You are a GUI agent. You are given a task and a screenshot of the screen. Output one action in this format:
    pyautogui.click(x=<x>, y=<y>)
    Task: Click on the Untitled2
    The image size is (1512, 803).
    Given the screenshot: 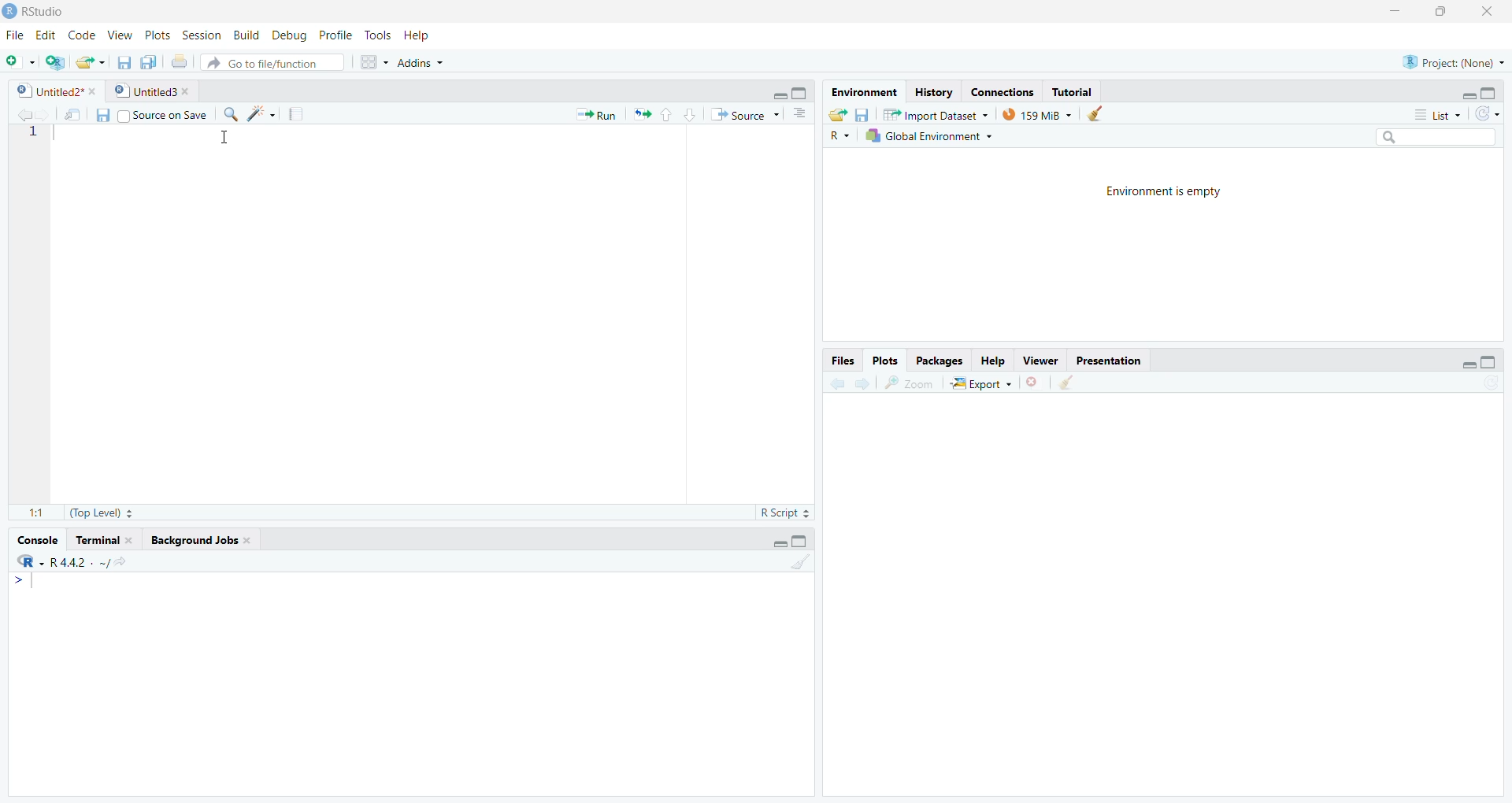 What is the action you would take?
    pyautogui.click(x=57, y=92)
    